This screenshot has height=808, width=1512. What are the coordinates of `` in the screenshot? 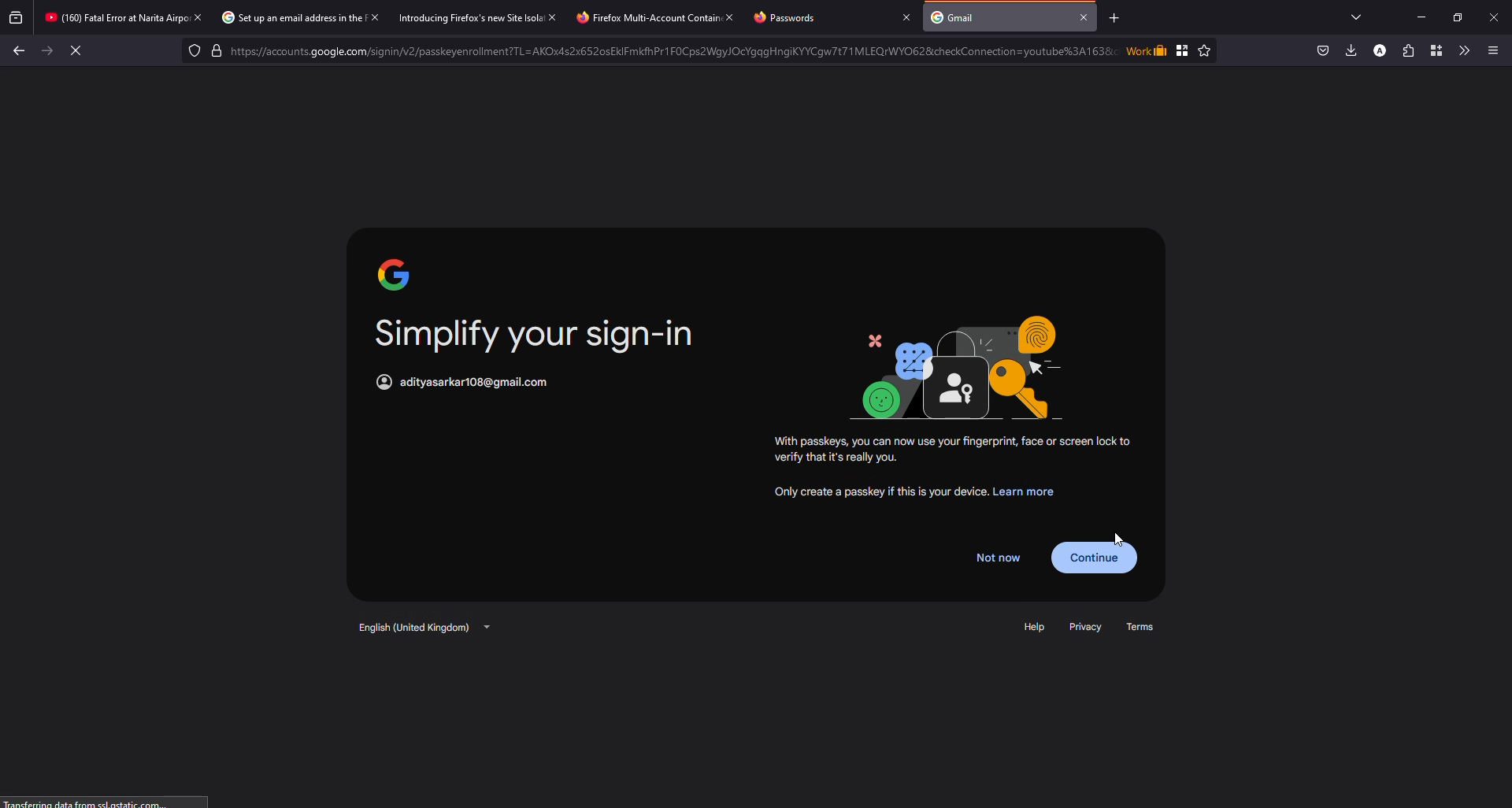 It's located at (953, 450).